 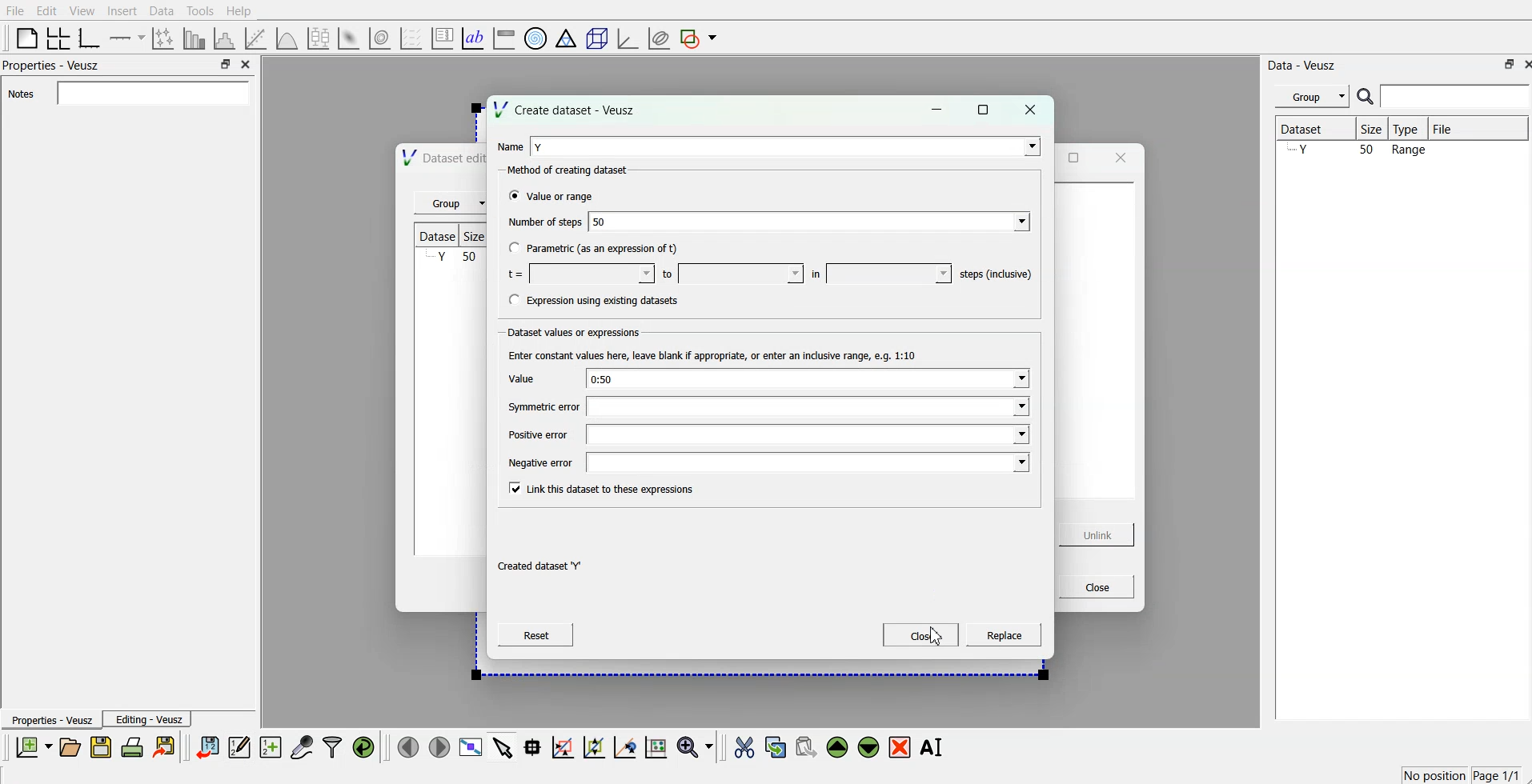 I want to click on symmetric error value field, so click(x=808, y=408).